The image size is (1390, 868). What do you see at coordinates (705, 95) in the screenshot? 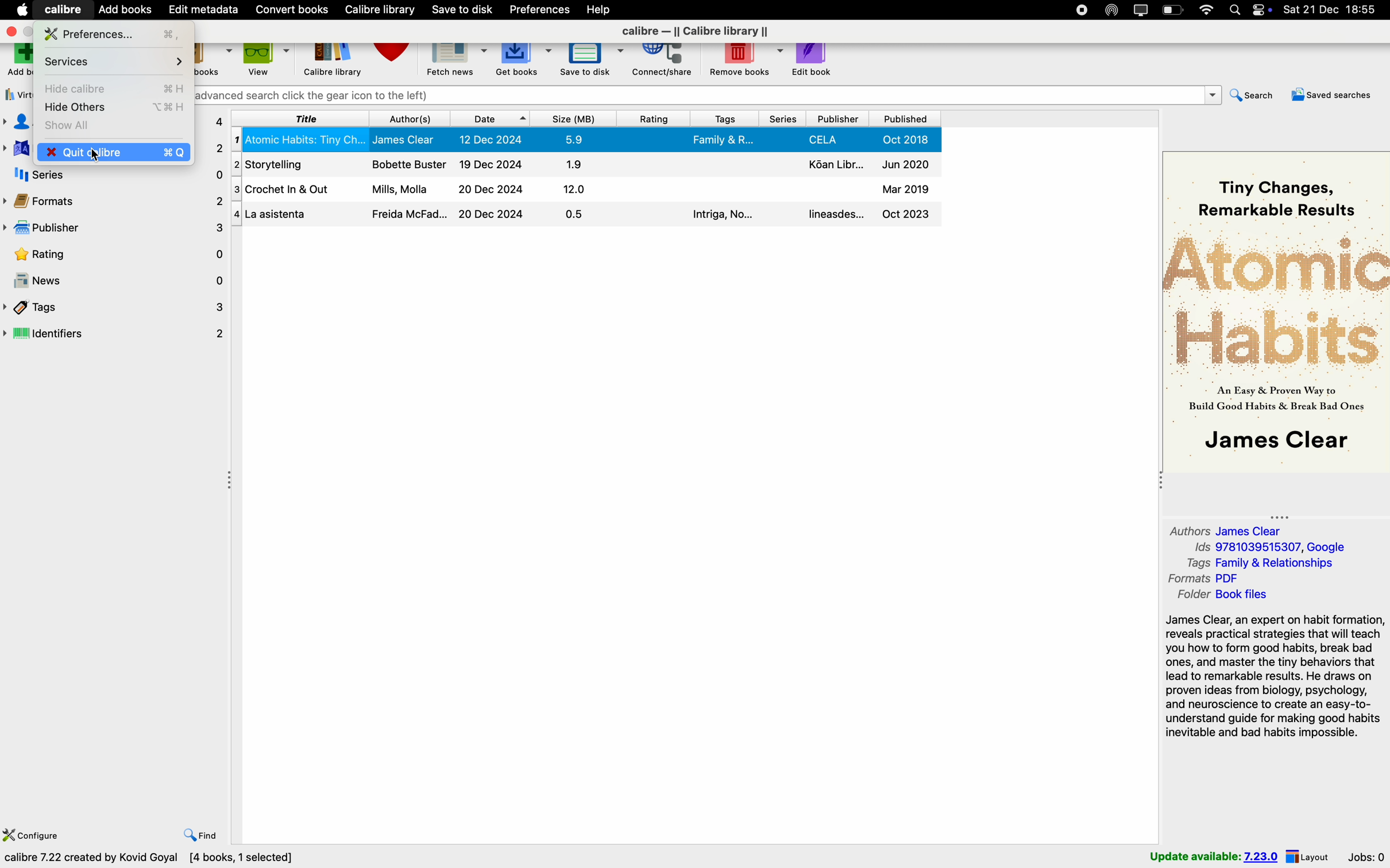
I see `search bar` at bounding box center [705, 95].